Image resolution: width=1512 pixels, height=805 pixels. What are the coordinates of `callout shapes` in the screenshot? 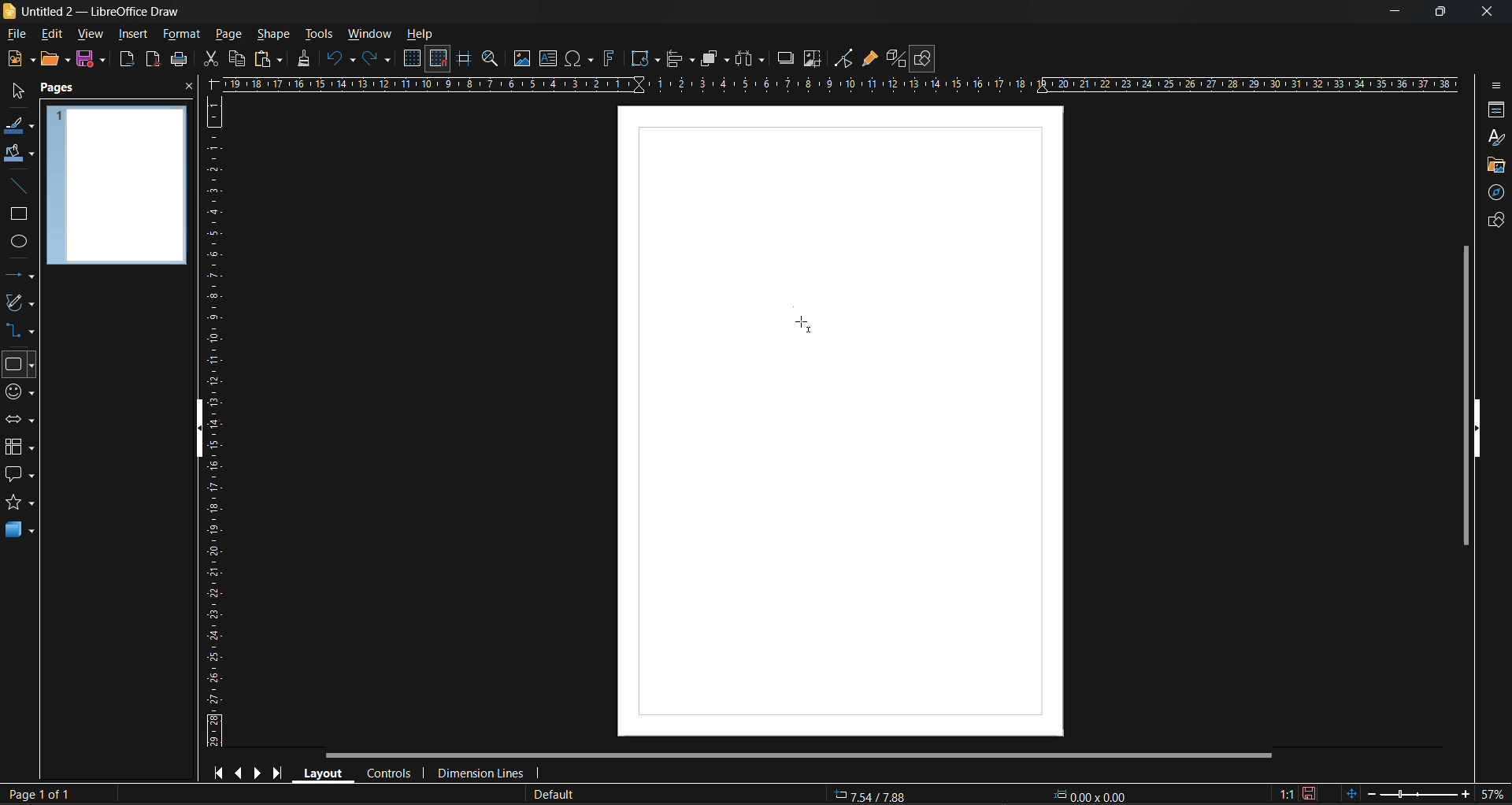 It's located at (19, 474).